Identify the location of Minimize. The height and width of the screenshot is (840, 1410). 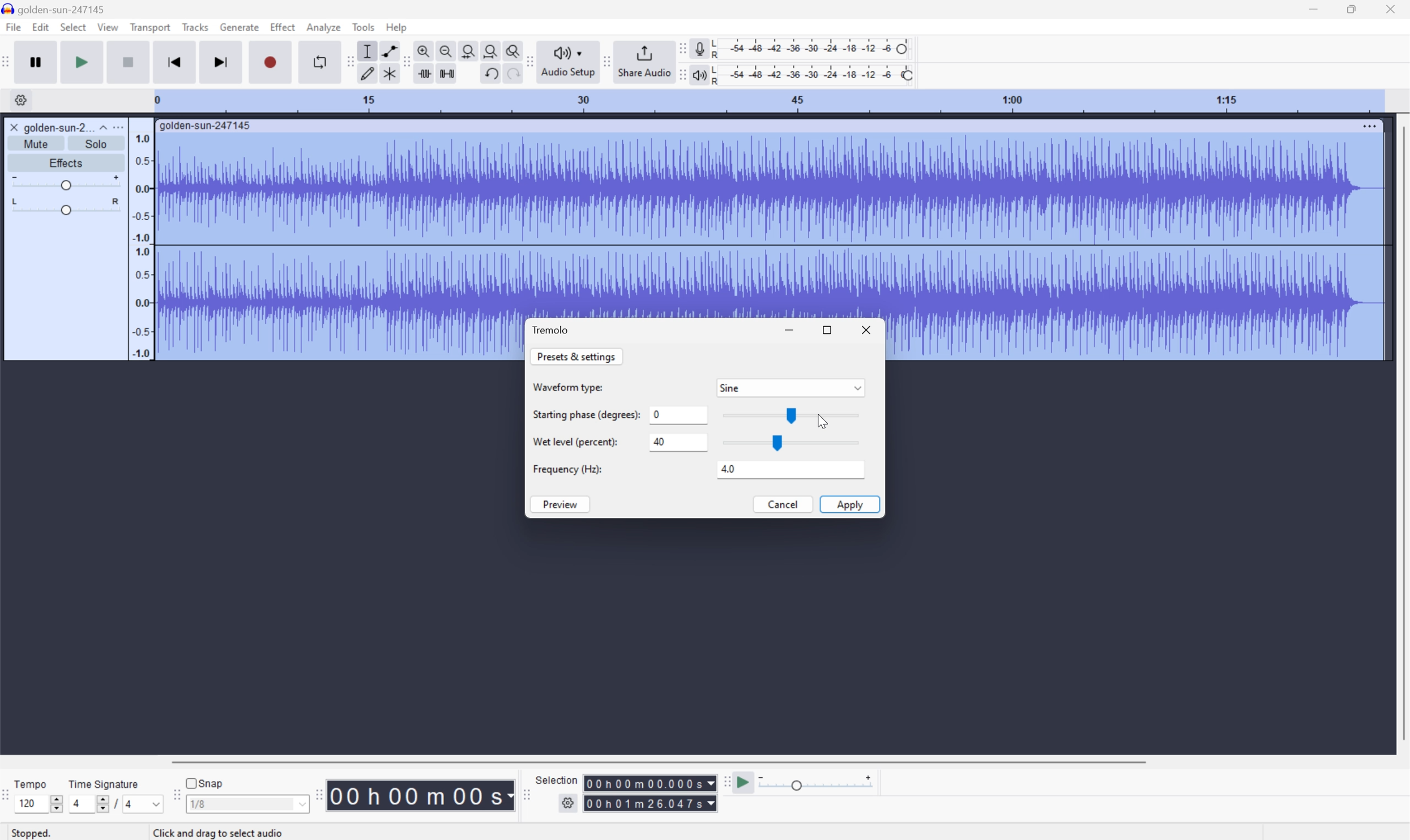
(791, 330).